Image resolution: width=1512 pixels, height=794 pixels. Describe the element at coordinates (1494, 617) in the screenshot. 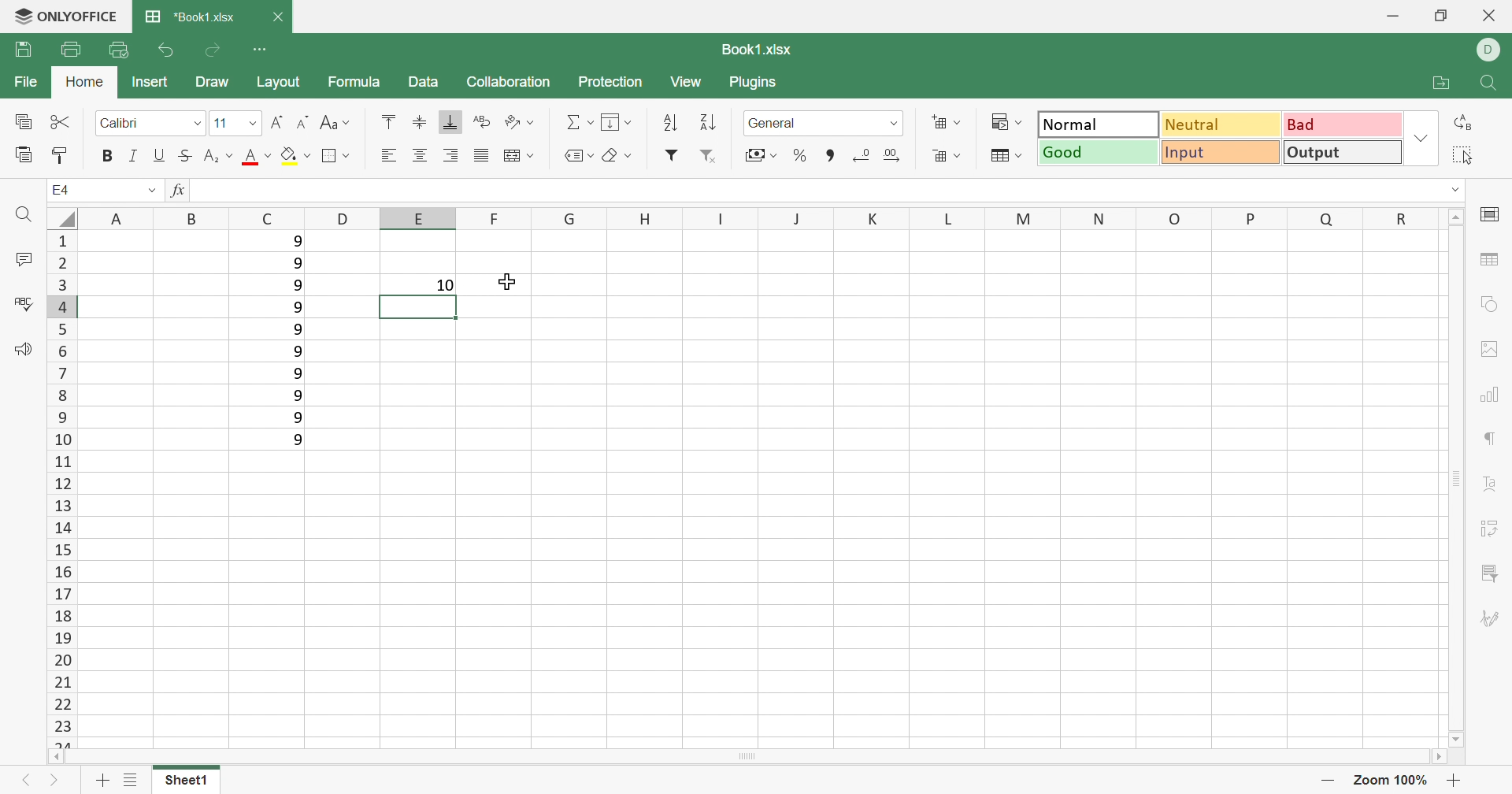

I see `Signature settings` at that location.